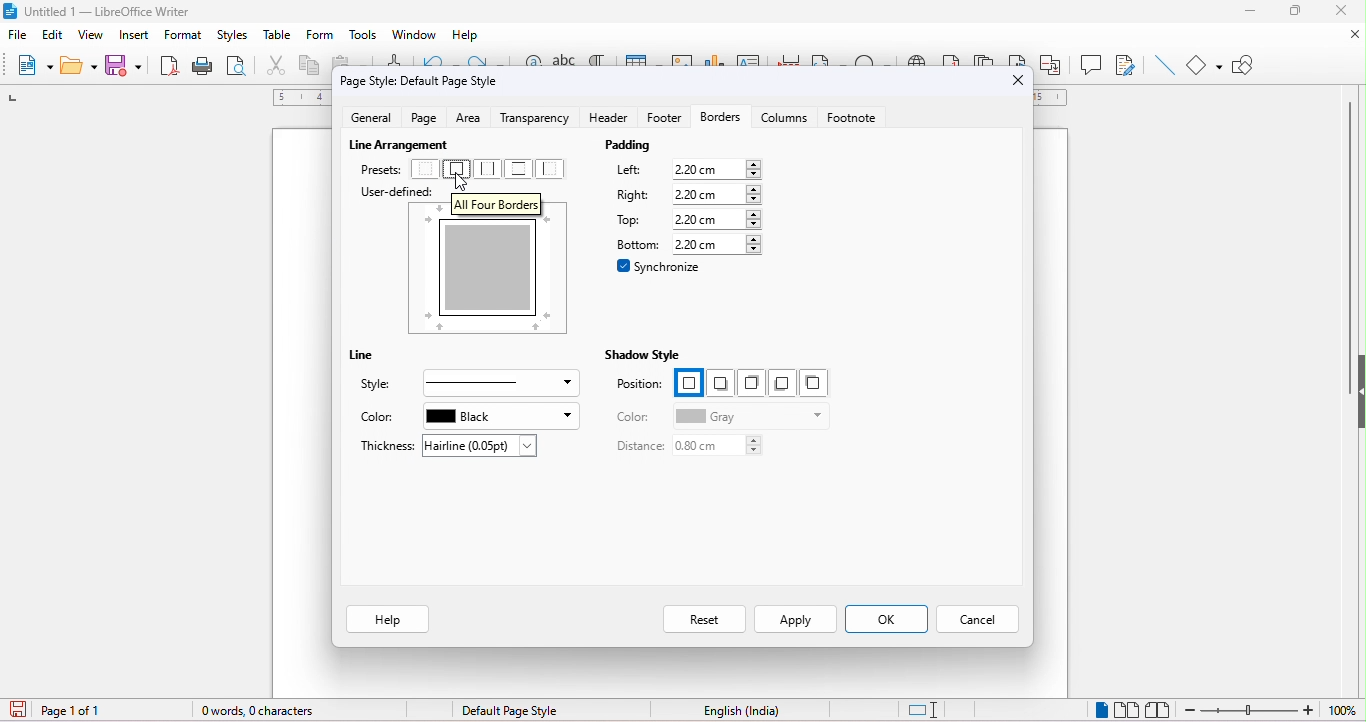 Image resolution: width=1366 pixels, height=722 pixels. I want to click on thickness, so click(386, 447).